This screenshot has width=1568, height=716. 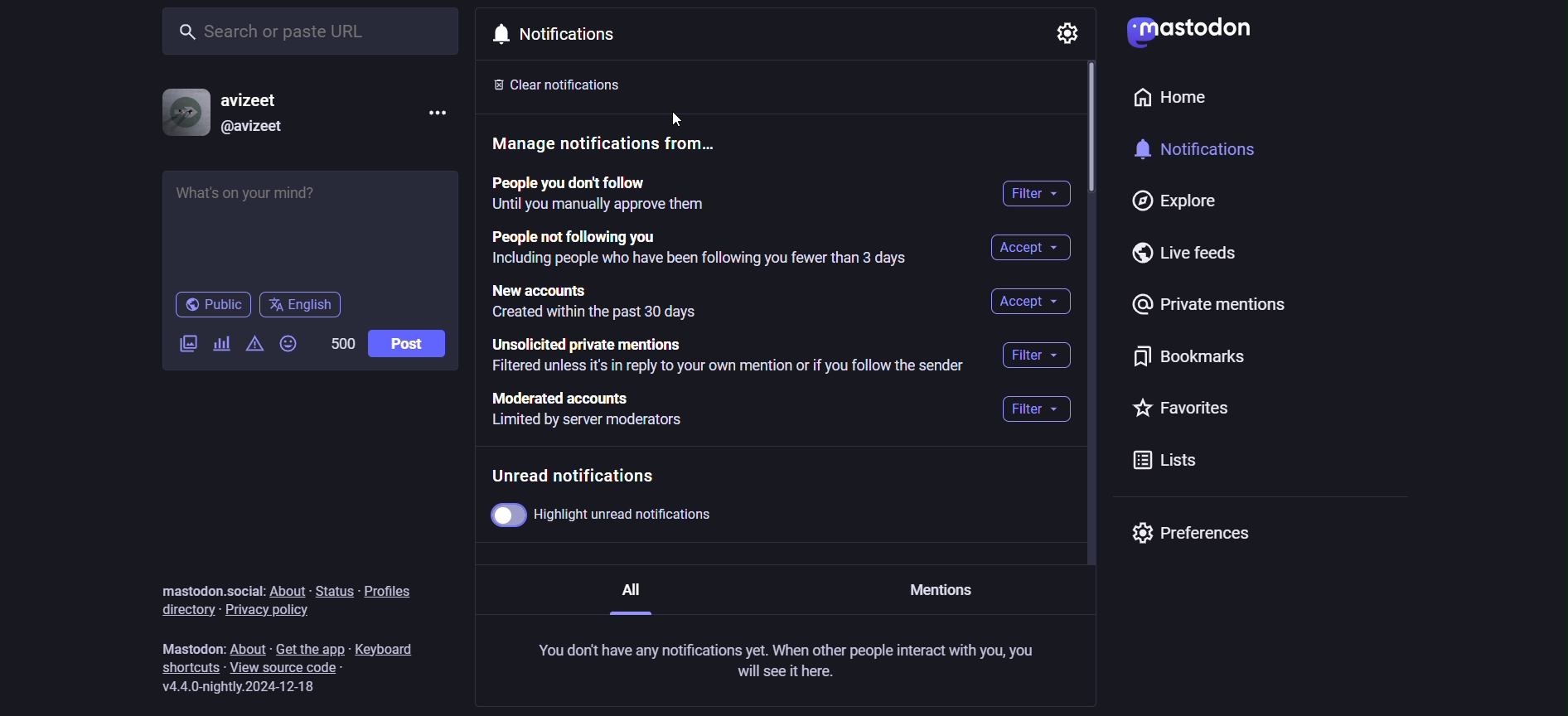 What do you see at coordinates (1033, 412) in the screenshot?
I see `filter` at bounding box center [1033, 412].